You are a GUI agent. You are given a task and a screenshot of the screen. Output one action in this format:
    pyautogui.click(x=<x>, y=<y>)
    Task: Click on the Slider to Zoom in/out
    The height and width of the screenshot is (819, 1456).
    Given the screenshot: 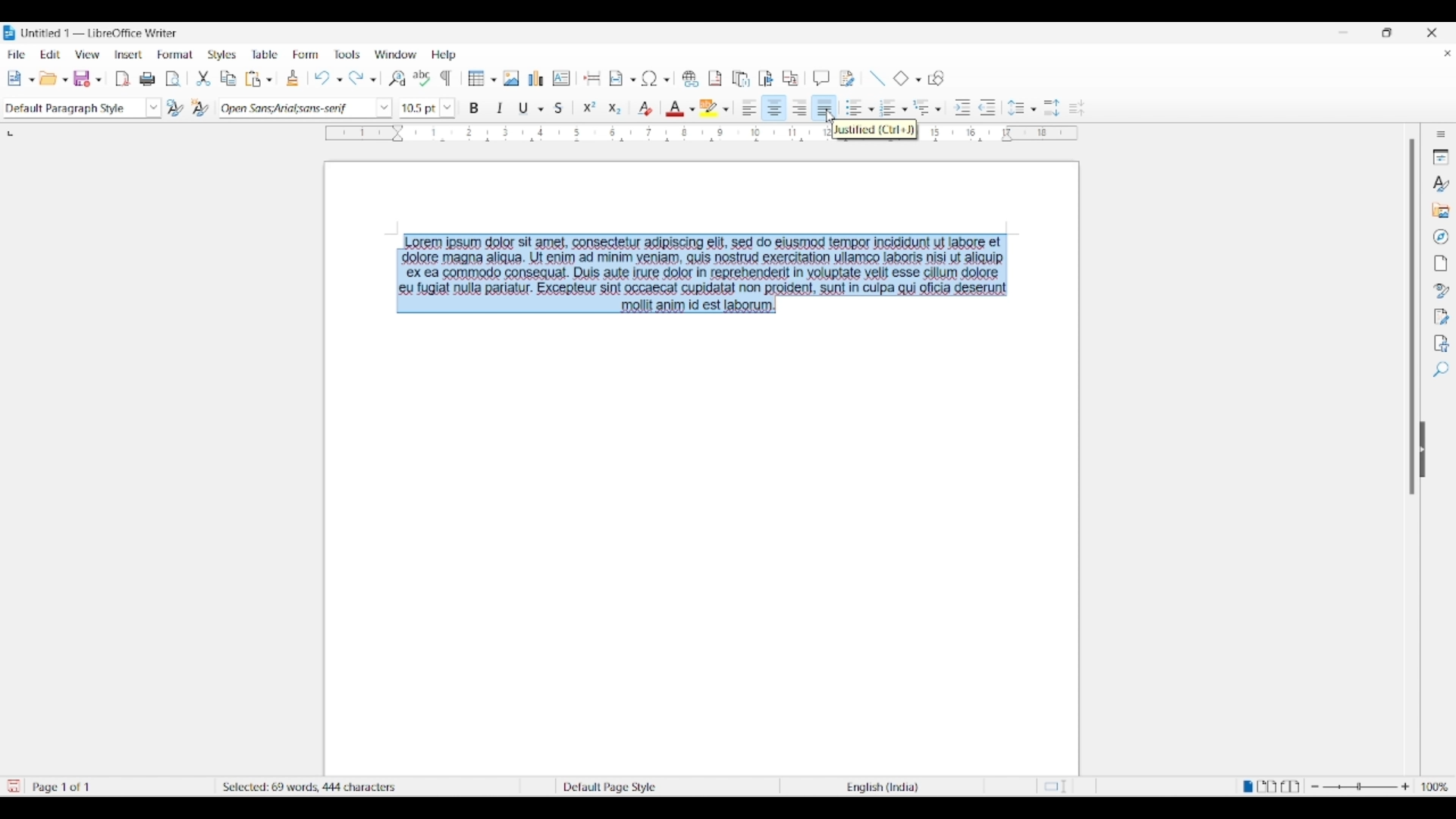 What is the action you would take?
    pyautogui.click(x=1360, y=786)
    